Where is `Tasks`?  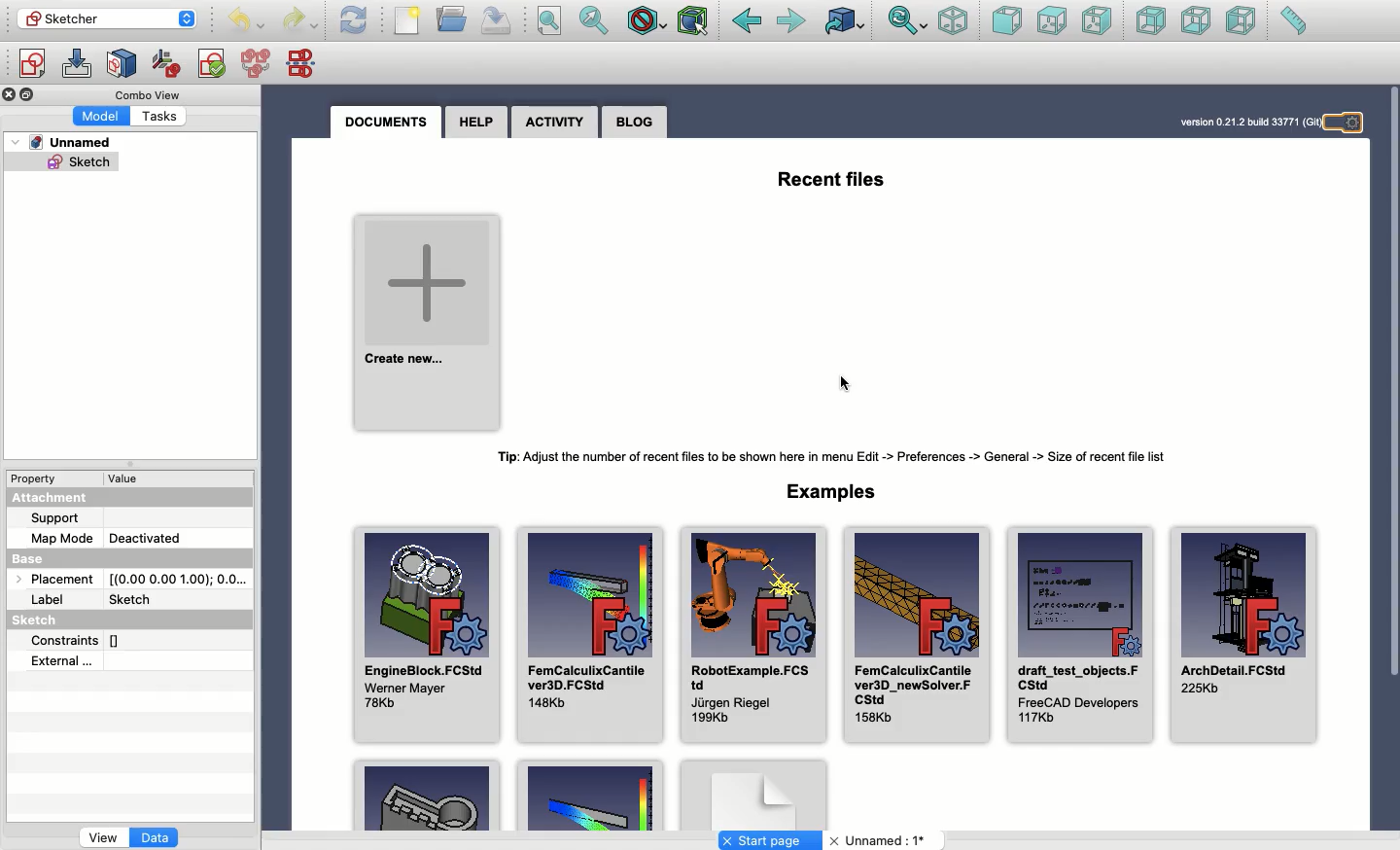
Tasks is located at coordinates (161, 116).